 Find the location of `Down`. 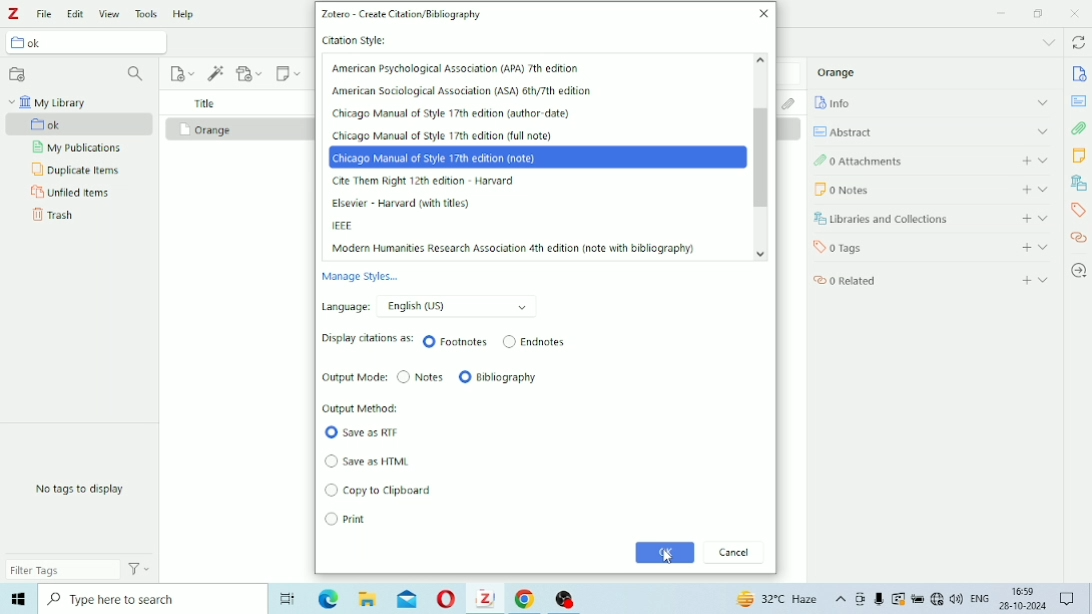

Down is located at coordinates (762, 252).